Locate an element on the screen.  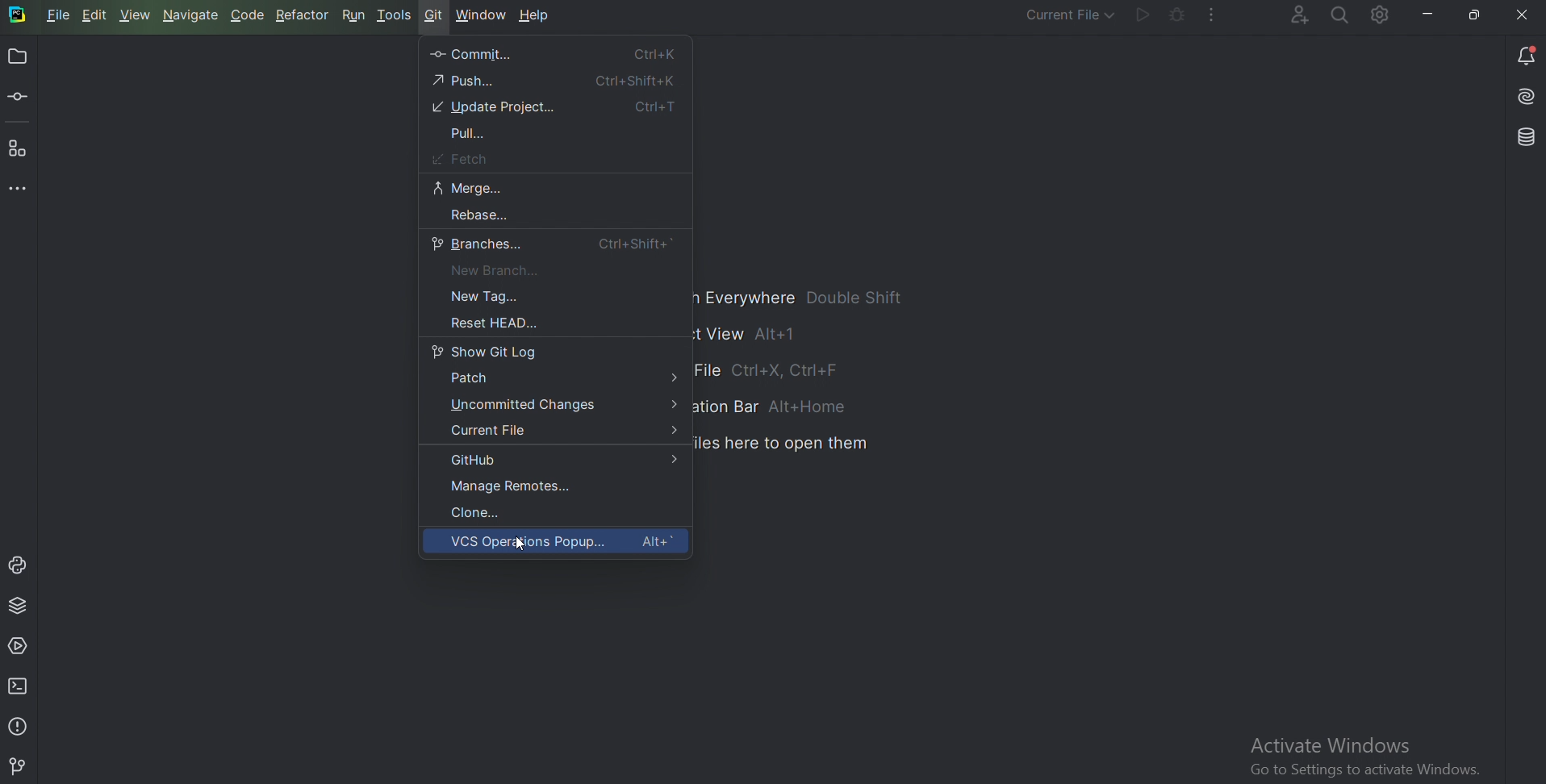
Install AI assistant is located at coordinates (1524, 99).